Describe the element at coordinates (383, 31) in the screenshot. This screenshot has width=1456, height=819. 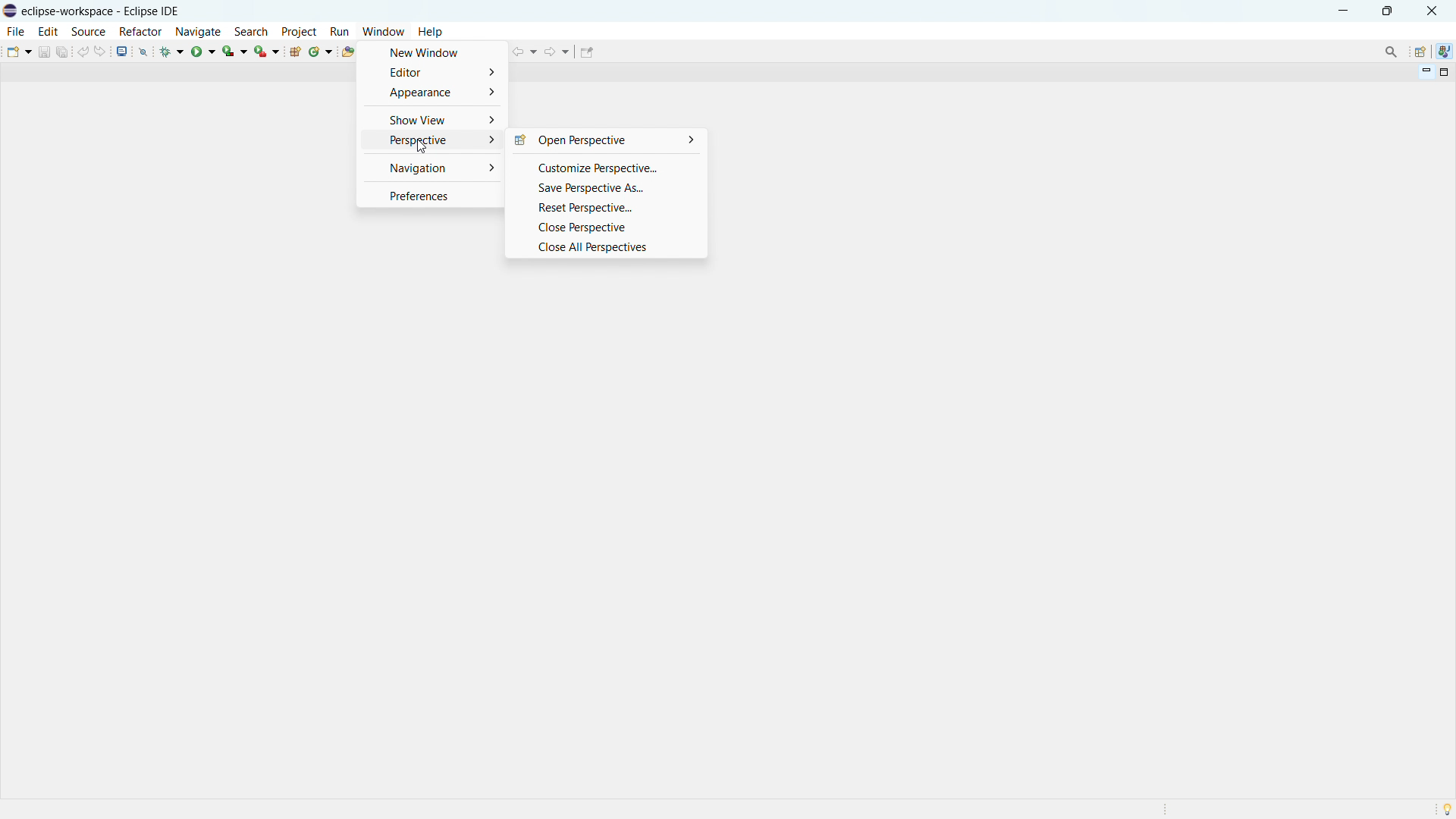
I see `window` at that location.